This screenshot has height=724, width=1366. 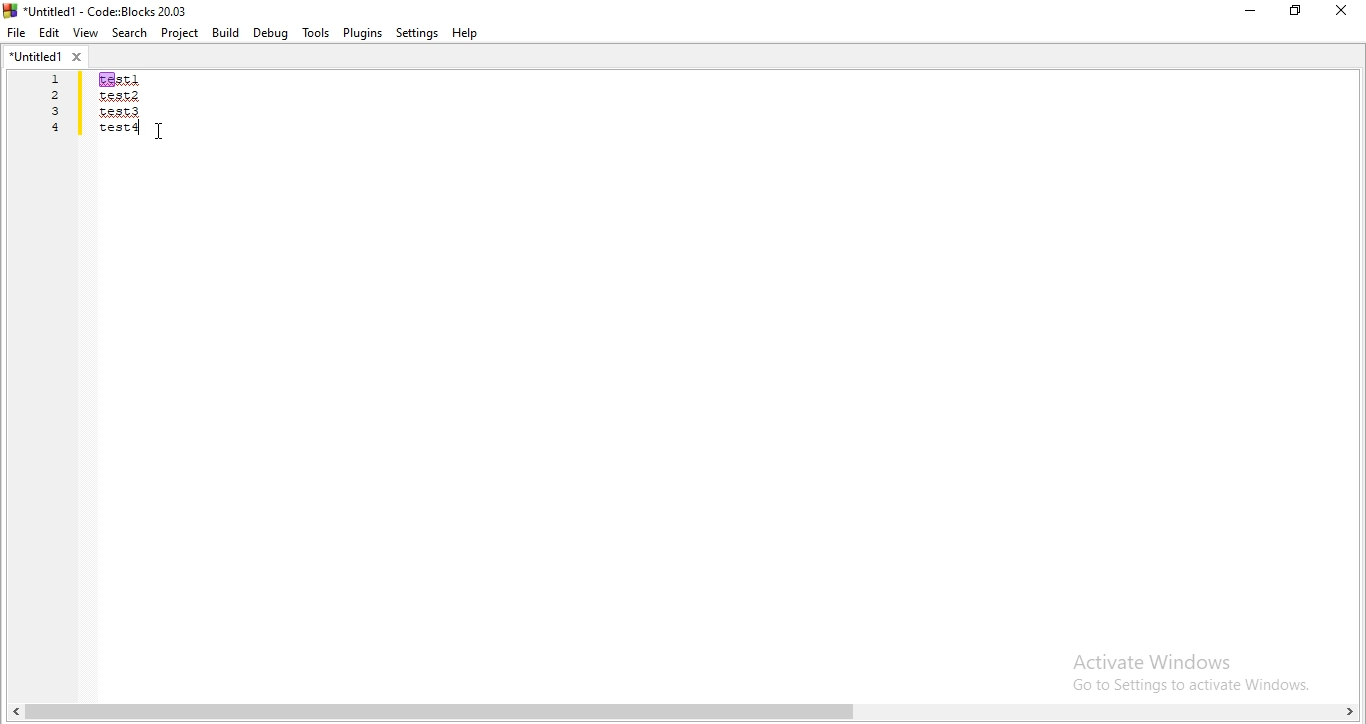 What do you see at coordinates (48, 32) in the screenshot?
I see `Edit ` at bounding box center [48, 32].